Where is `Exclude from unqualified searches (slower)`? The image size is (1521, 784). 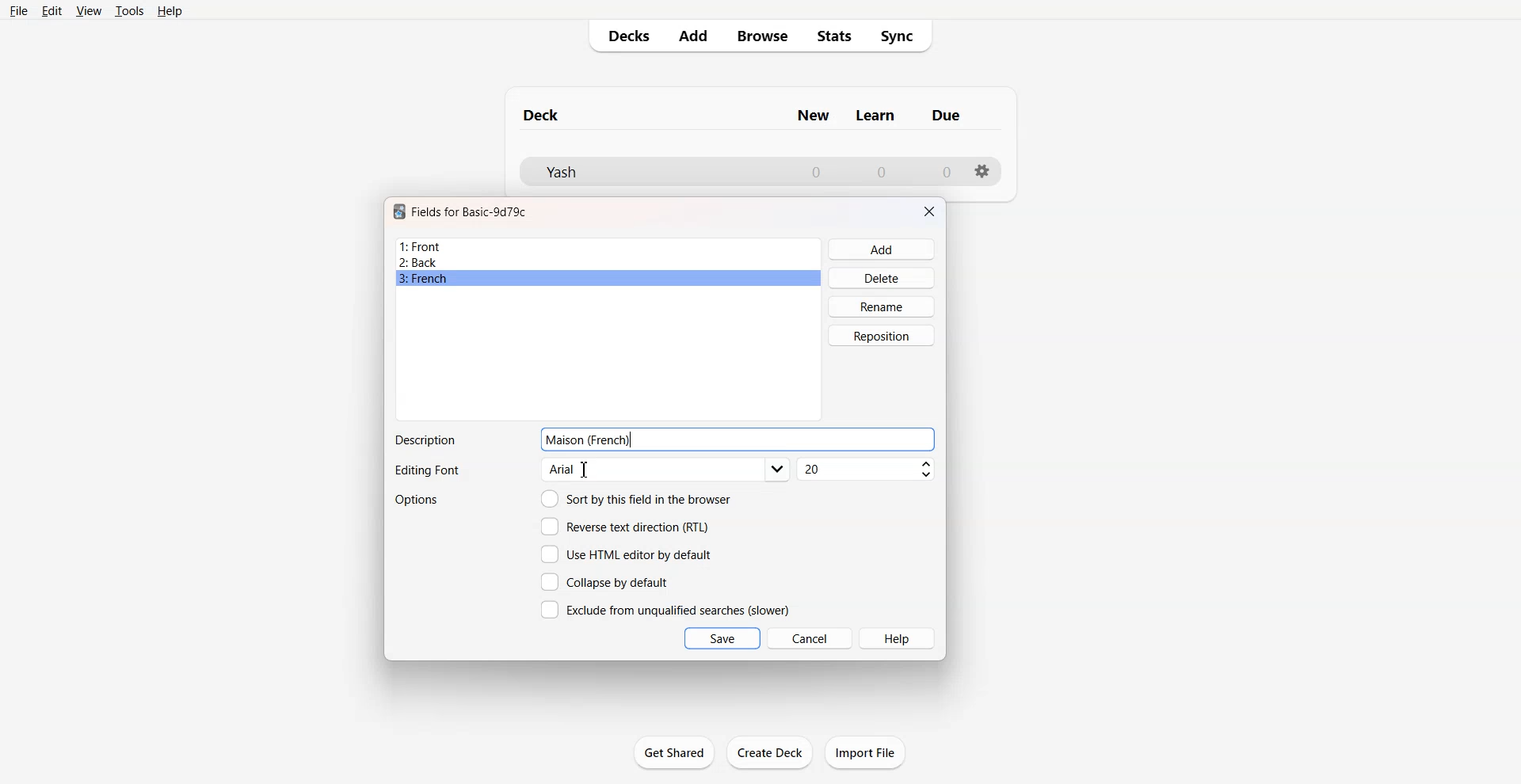 Exclude from unqualified searches (slower) is located at coordinates (665, 609).